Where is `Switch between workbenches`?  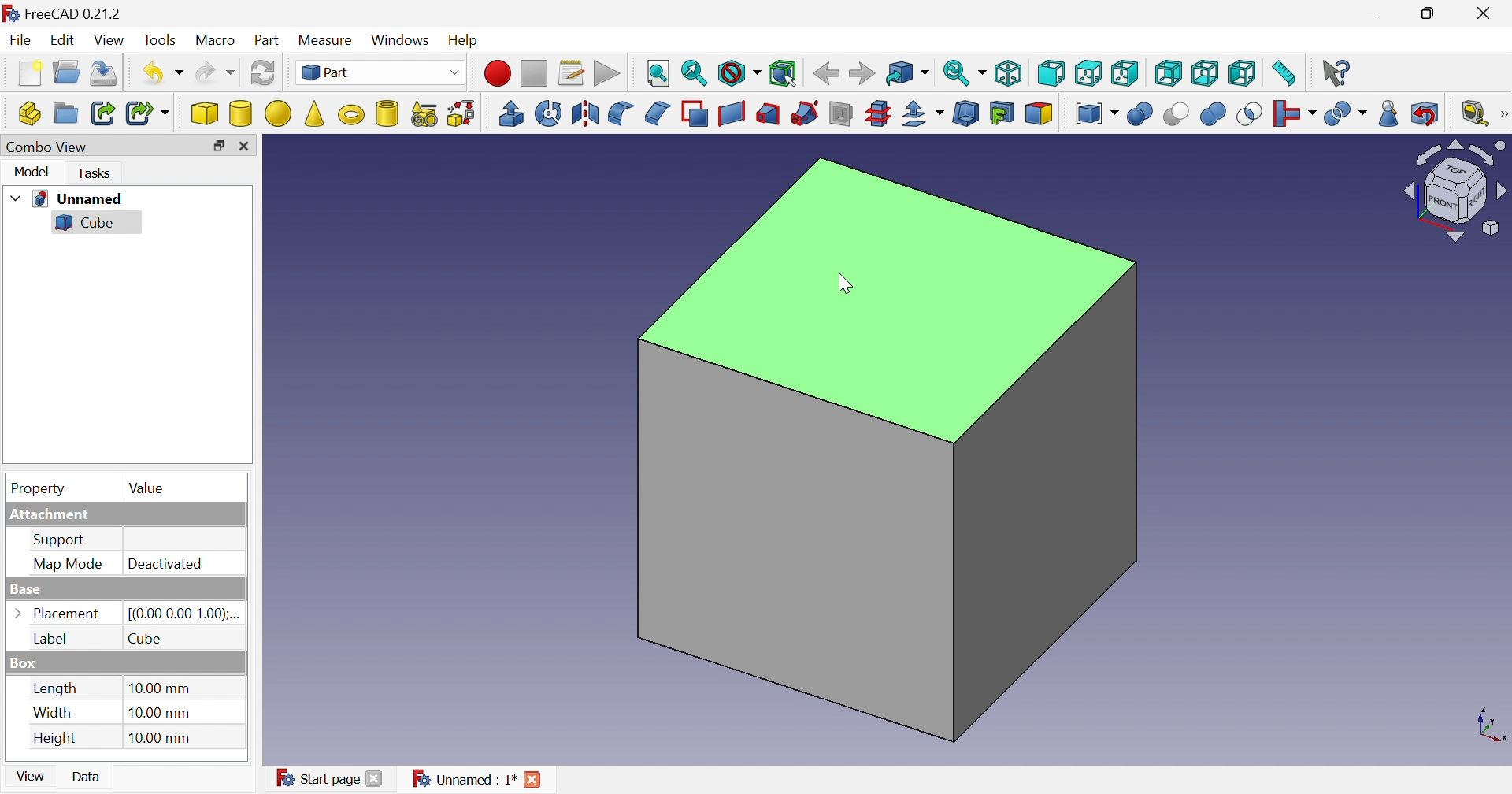
Switch between workbenches is located at coordinates (383, 72).